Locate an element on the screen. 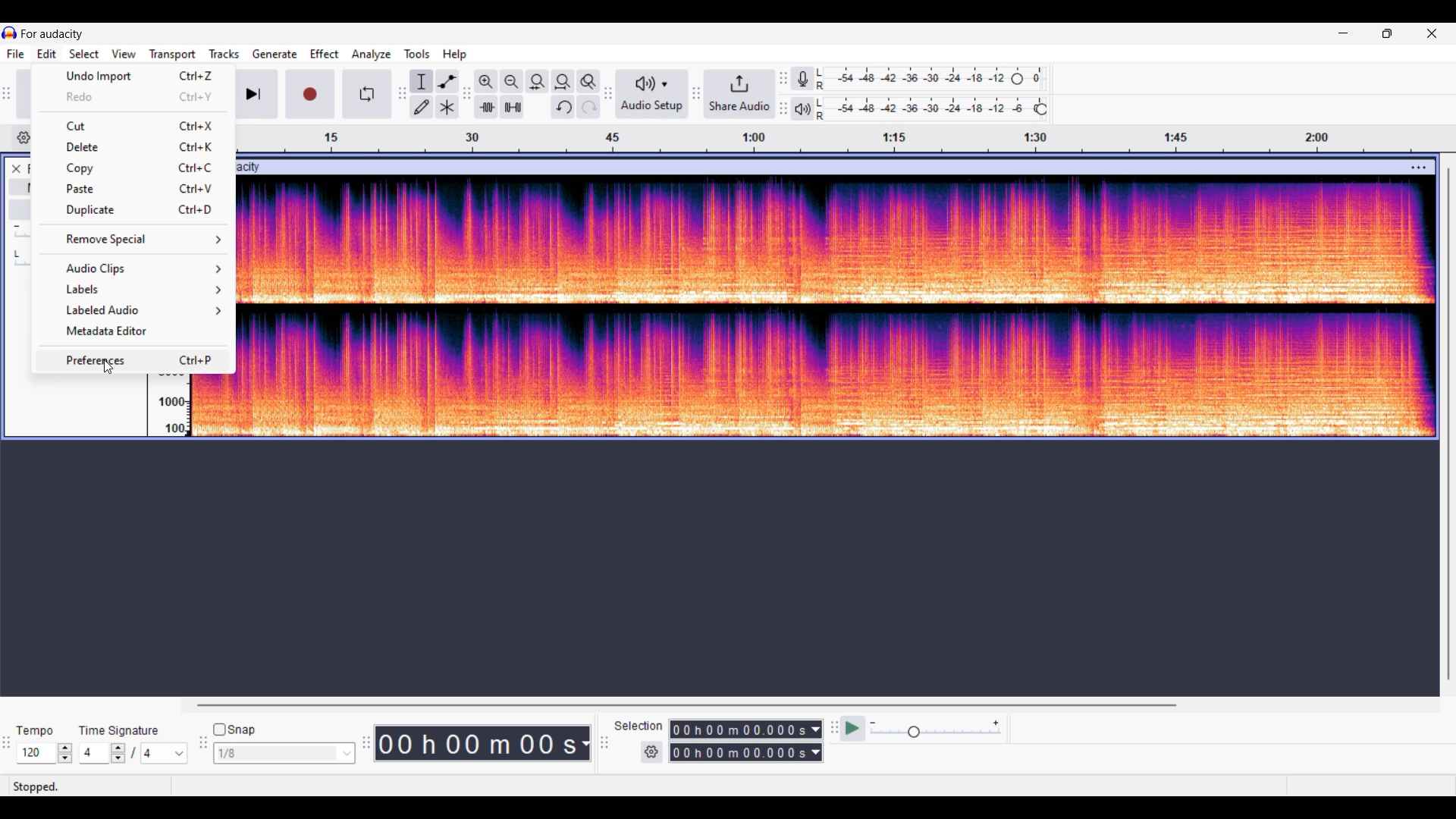  Analyze menu is located at coordinates (372, 55).